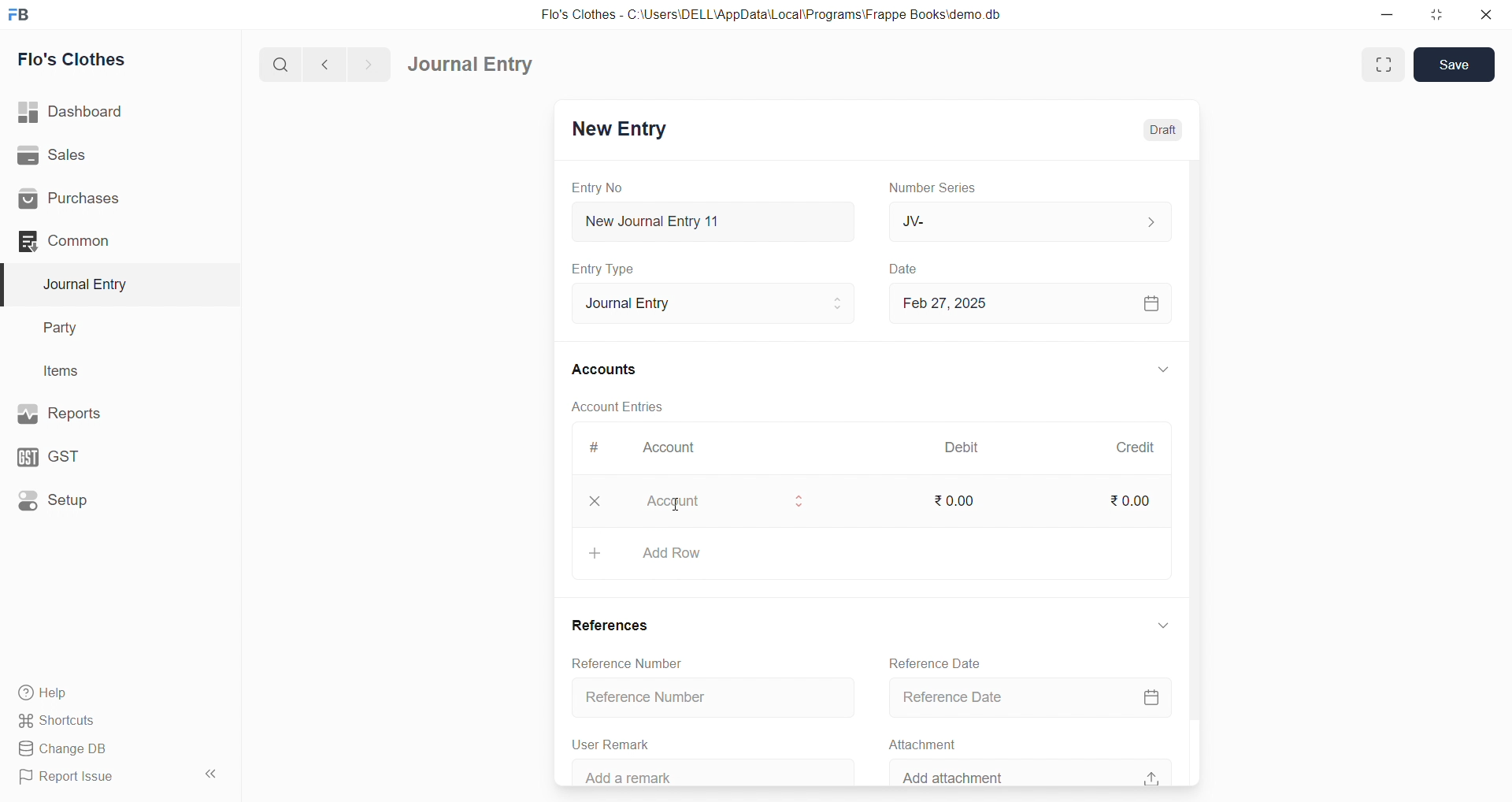  What do you see at coordinates (624, 664) in the screenshot?
I see `Reference Number` at bounding box center [624, 664].